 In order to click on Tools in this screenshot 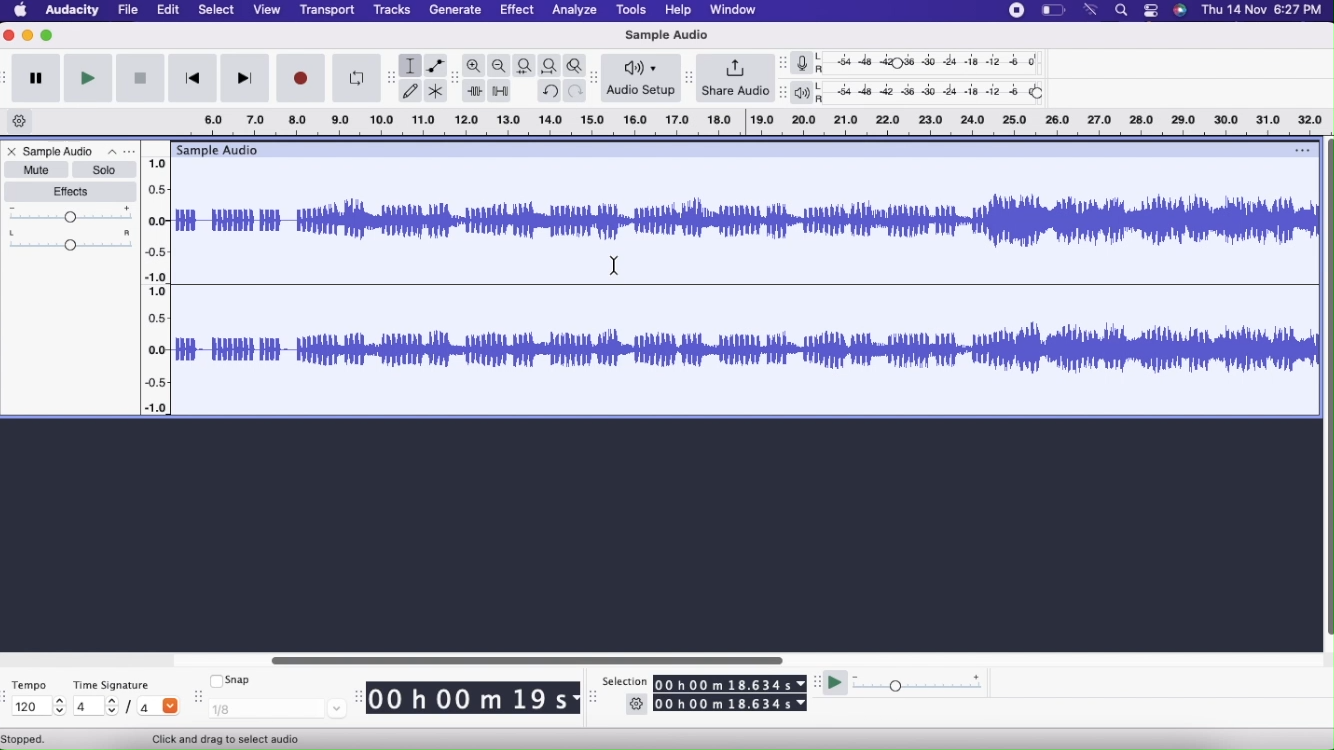, I will do `click(634, 11)`.